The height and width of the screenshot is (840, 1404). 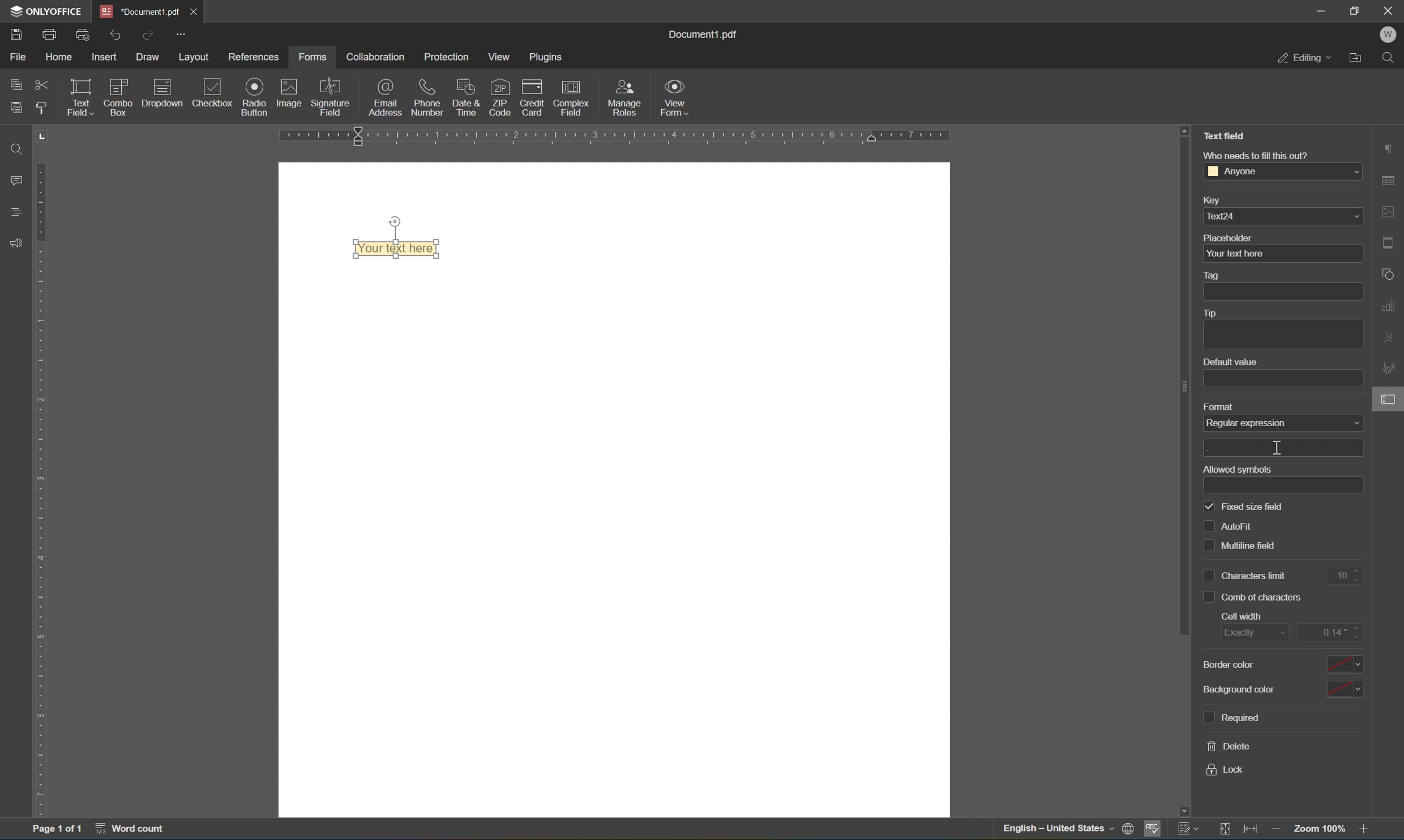 I want to click on key, so click(x=1210, y=202).